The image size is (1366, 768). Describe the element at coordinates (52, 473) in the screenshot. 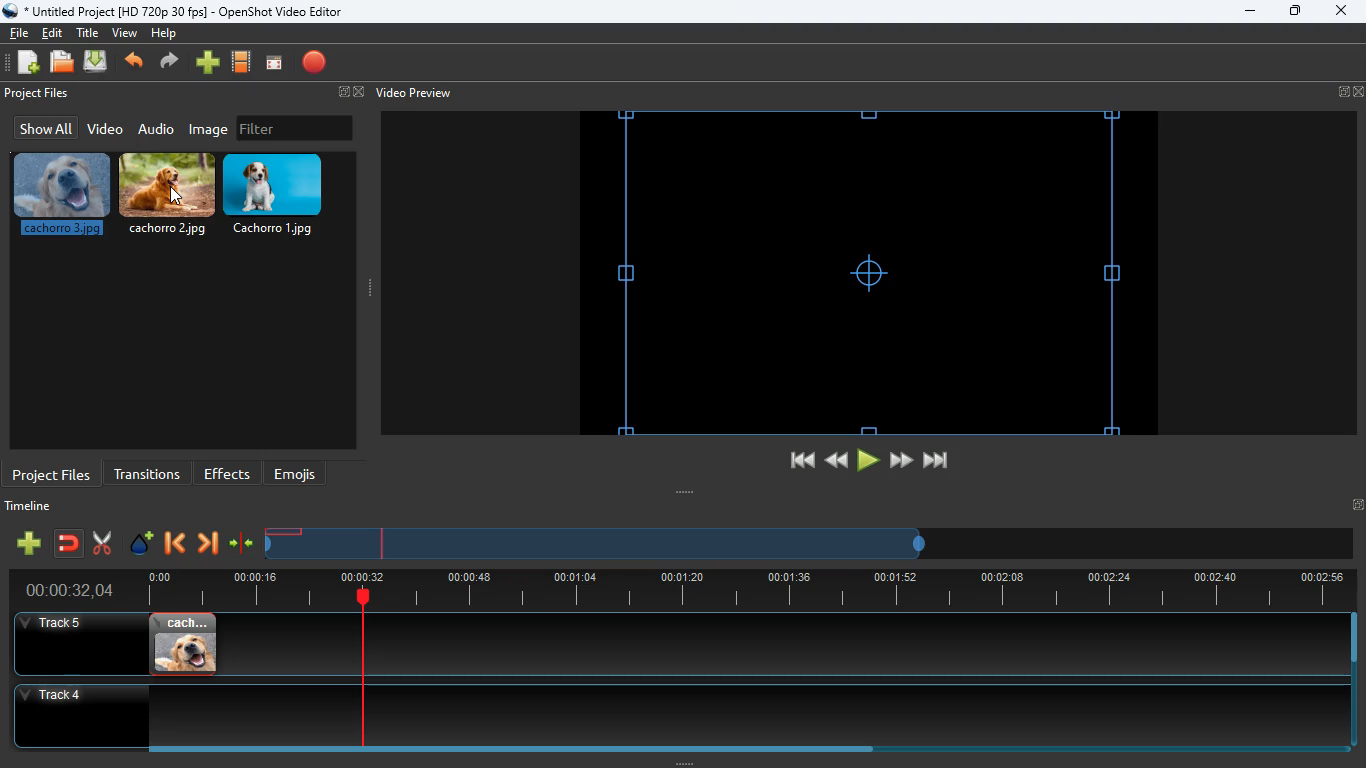

I see `project files` at that location.